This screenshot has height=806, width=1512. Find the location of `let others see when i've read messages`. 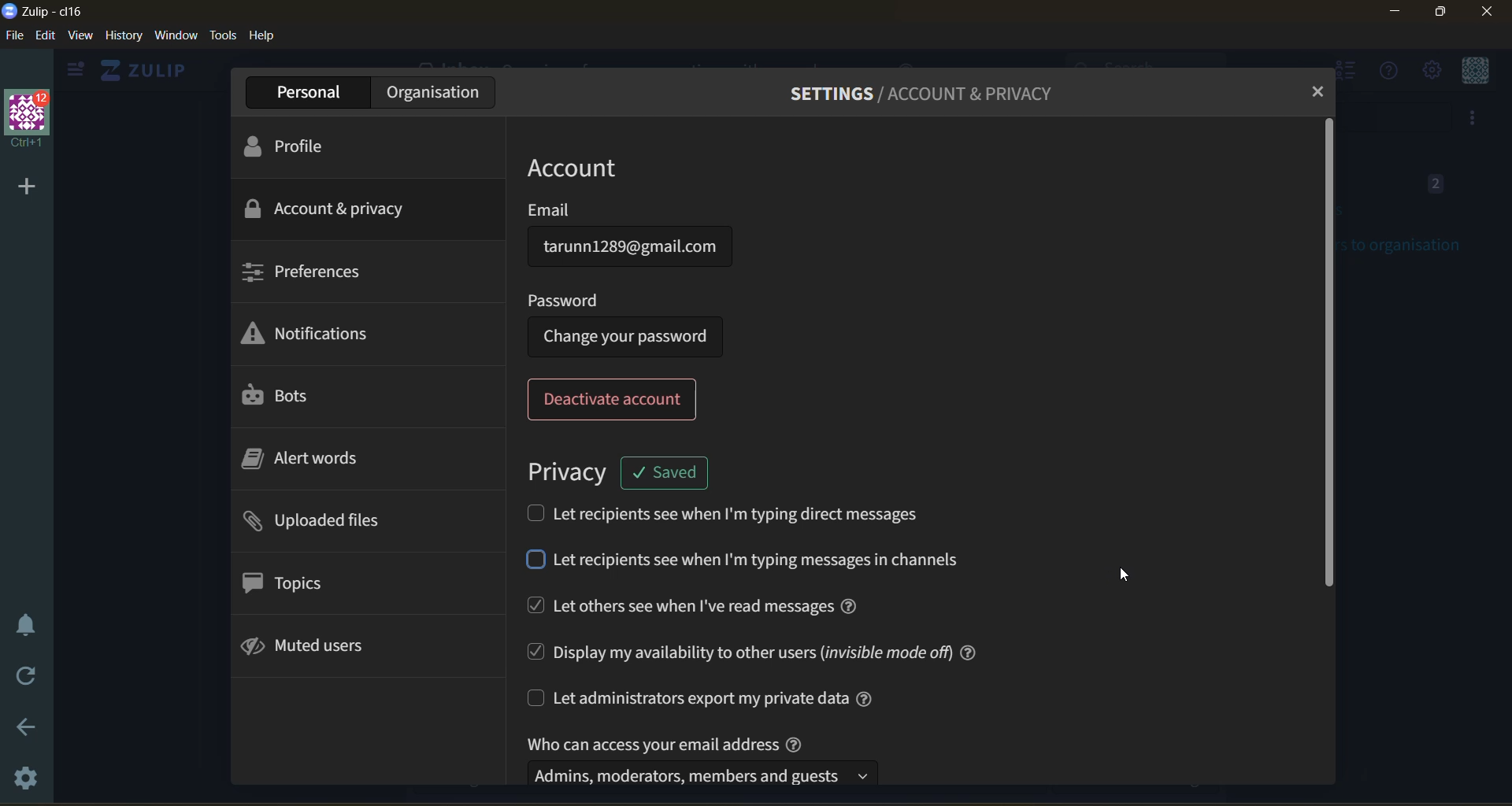

let others see when i've read messages is located at coordinates (702, 606).